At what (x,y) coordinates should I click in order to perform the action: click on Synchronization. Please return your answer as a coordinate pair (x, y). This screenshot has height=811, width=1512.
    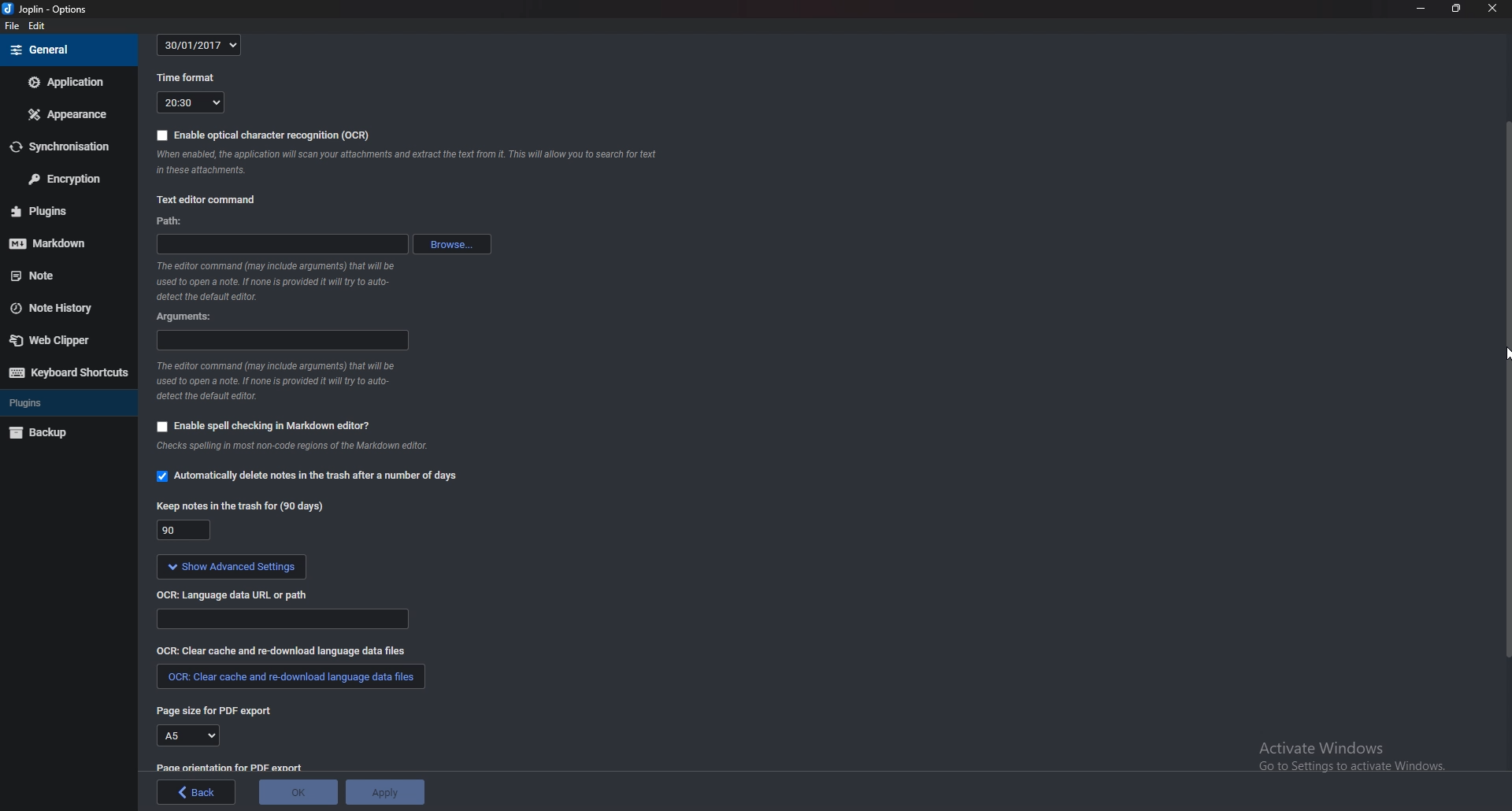
    Looking at the image, I should click on (66, 146).